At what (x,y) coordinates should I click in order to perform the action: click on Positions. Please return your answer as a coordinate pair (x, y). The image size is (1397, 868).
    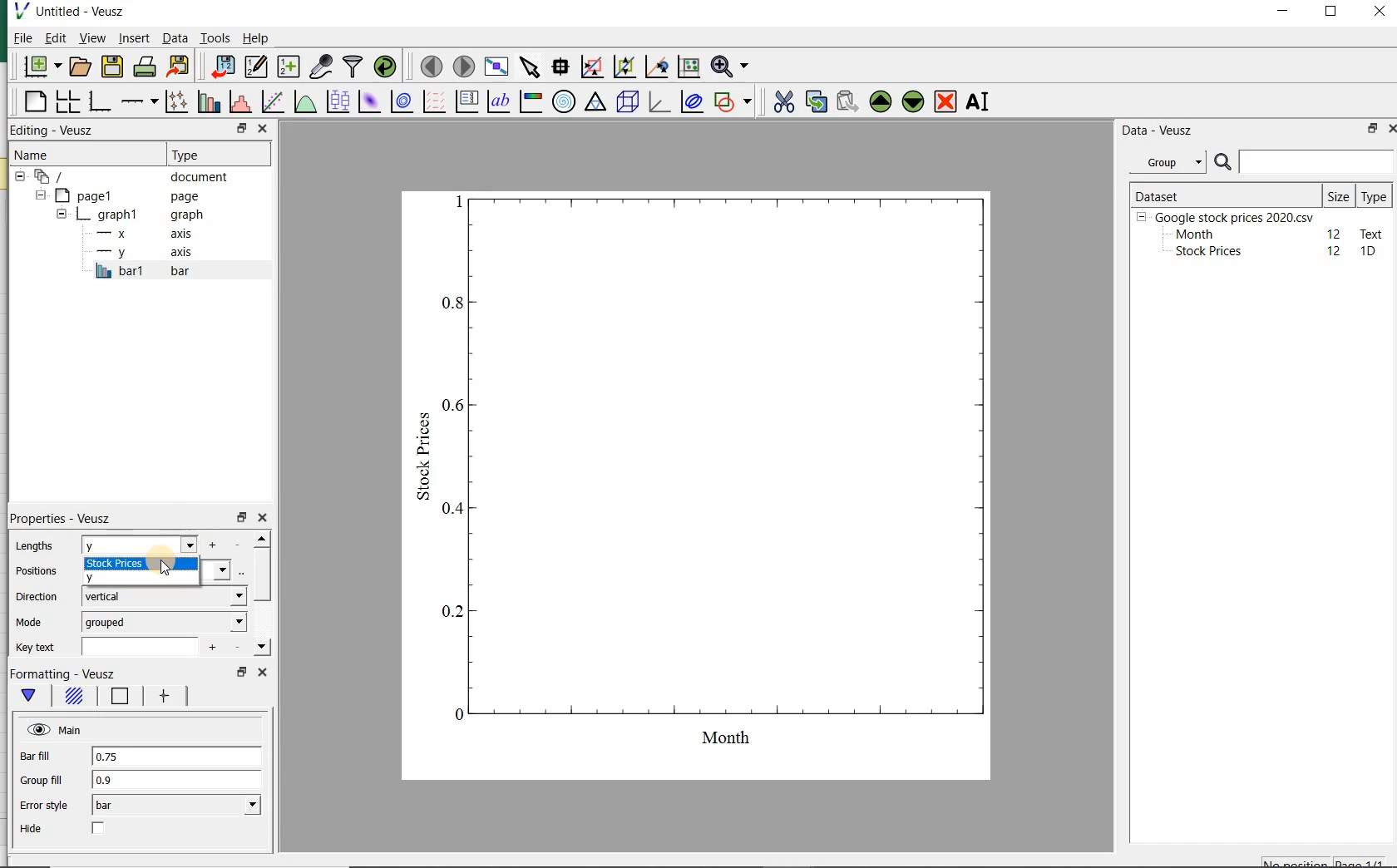
    Looking at the image, I should click on (34, 570).